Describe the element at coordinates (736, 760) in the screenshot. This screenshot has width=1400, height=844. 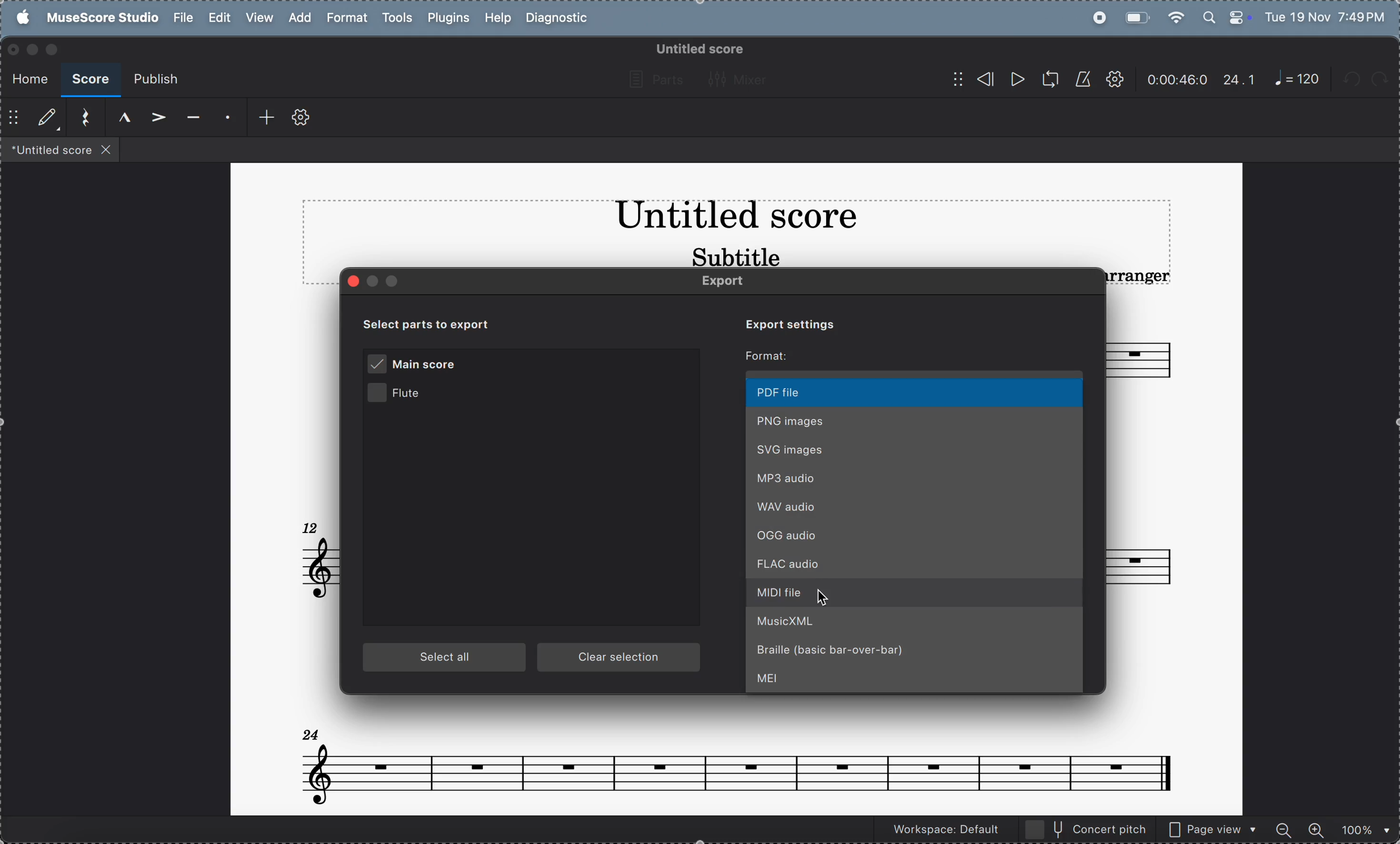
I see `notes` at that location.